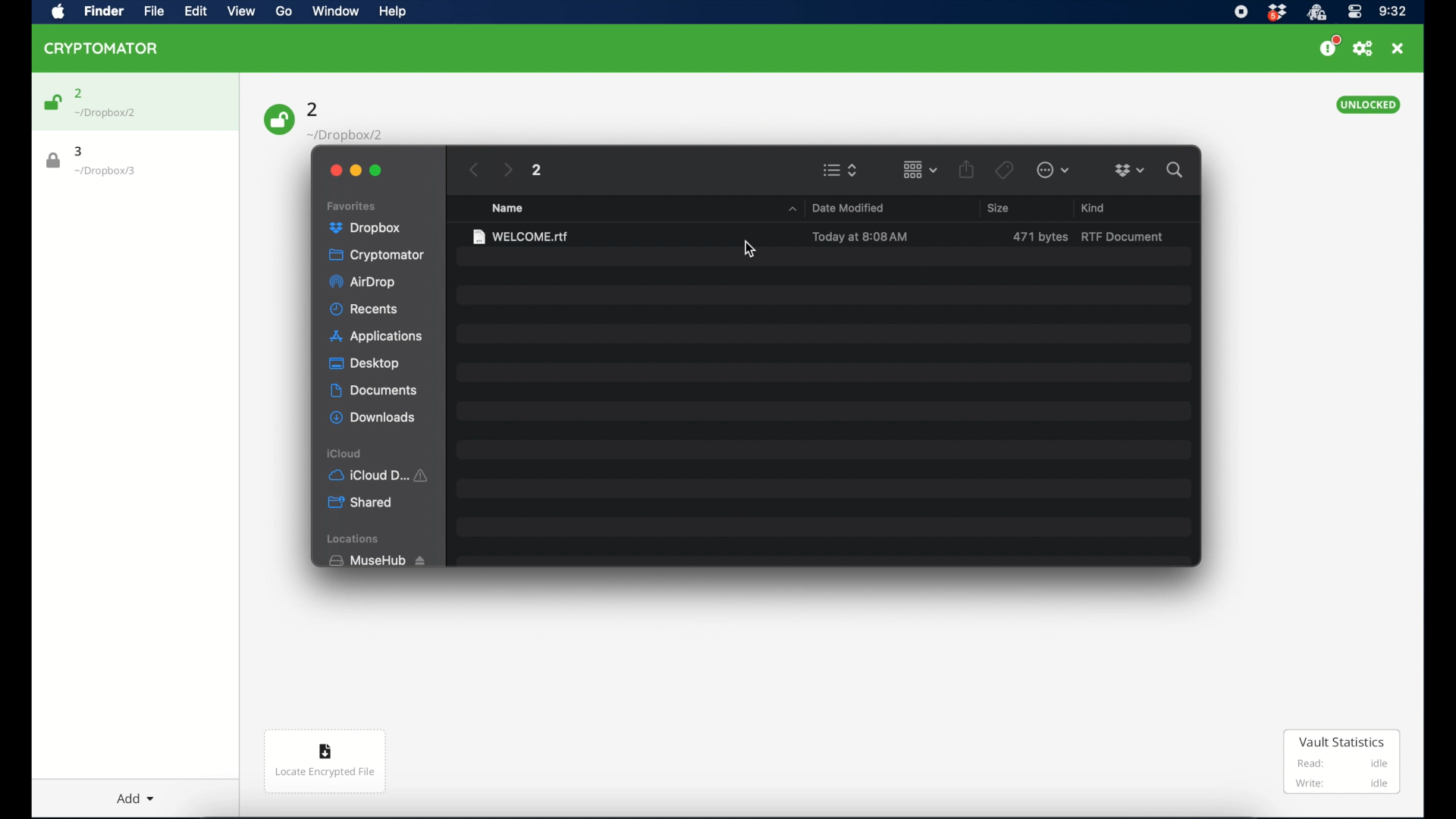 This screenshot has width=1456, height=819. I want to click on close, so click(334, 170).